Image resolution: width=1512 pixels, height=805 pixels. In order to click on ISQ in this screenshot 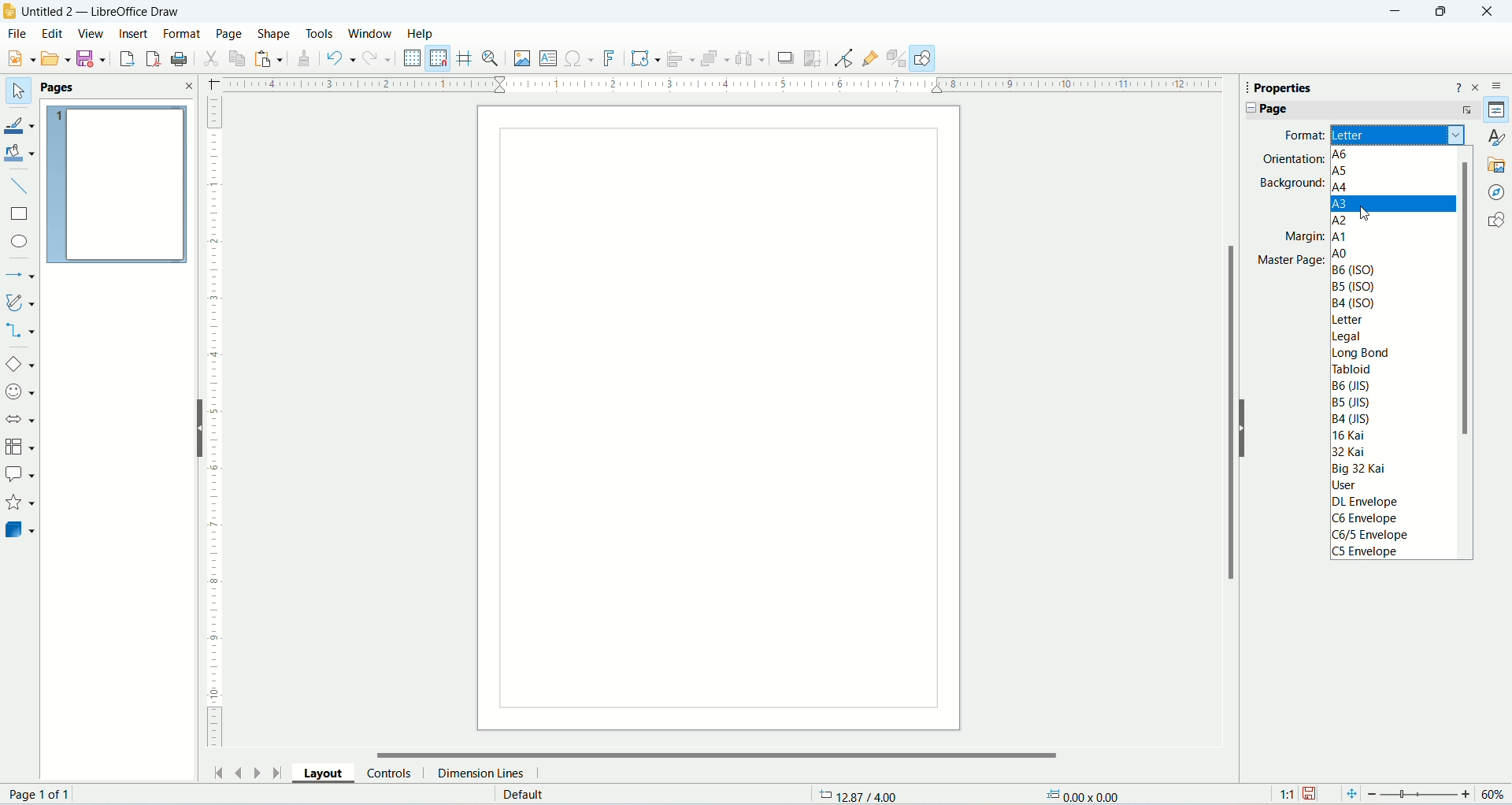, I will do `click(1352, 286)`.